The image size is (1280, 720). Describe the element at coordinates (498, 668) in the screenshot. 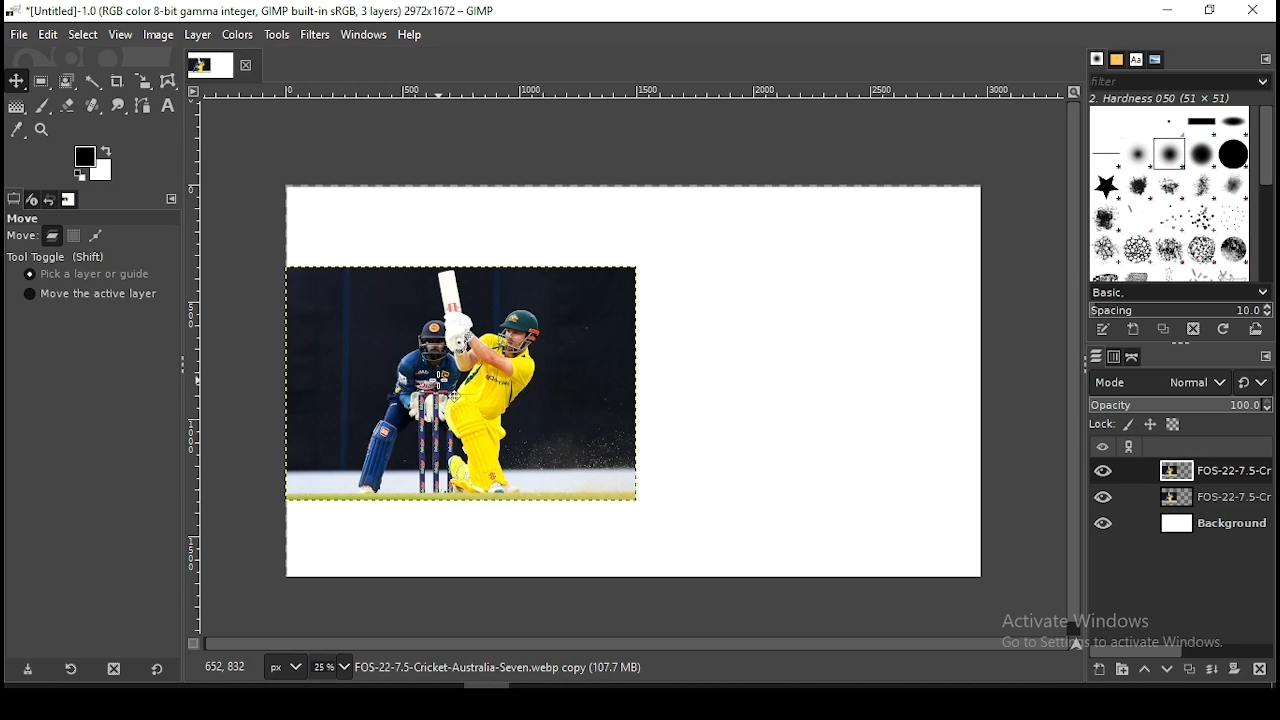

I see `text` at that location.